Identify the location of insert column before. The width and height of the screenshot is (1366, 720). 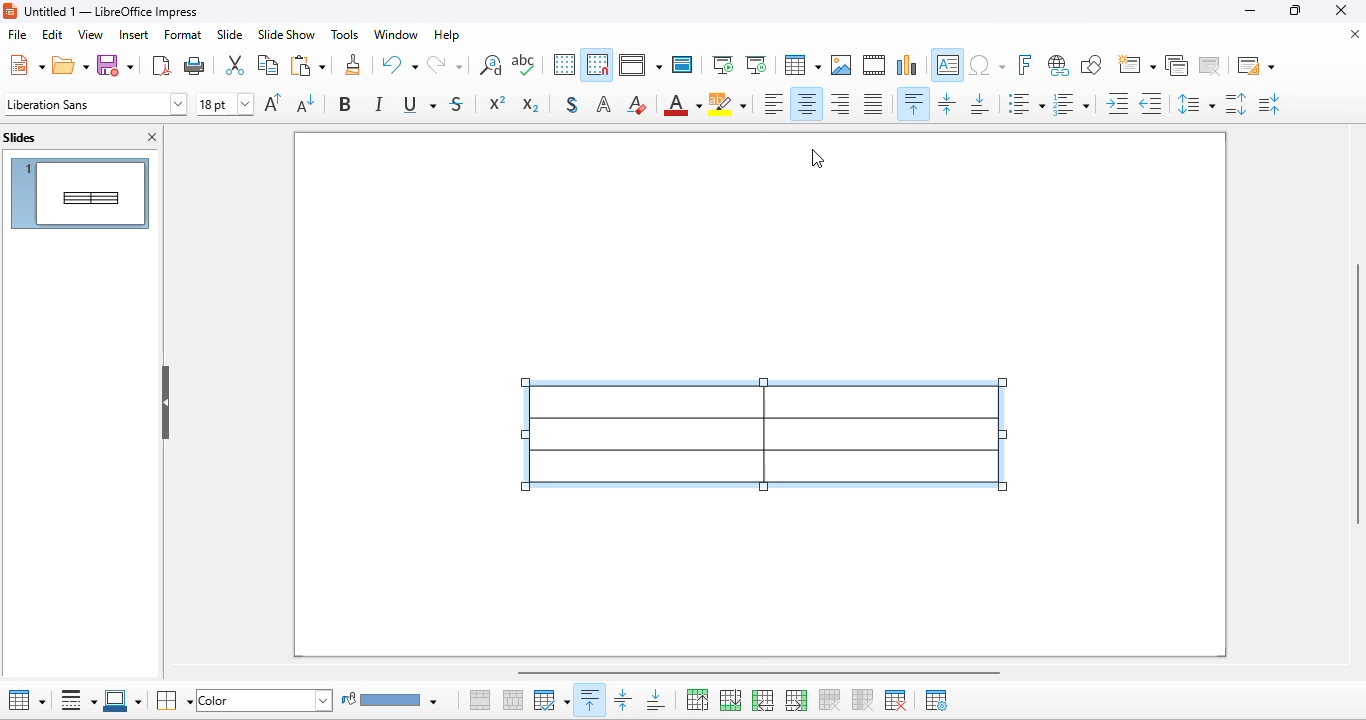
(762, 701).